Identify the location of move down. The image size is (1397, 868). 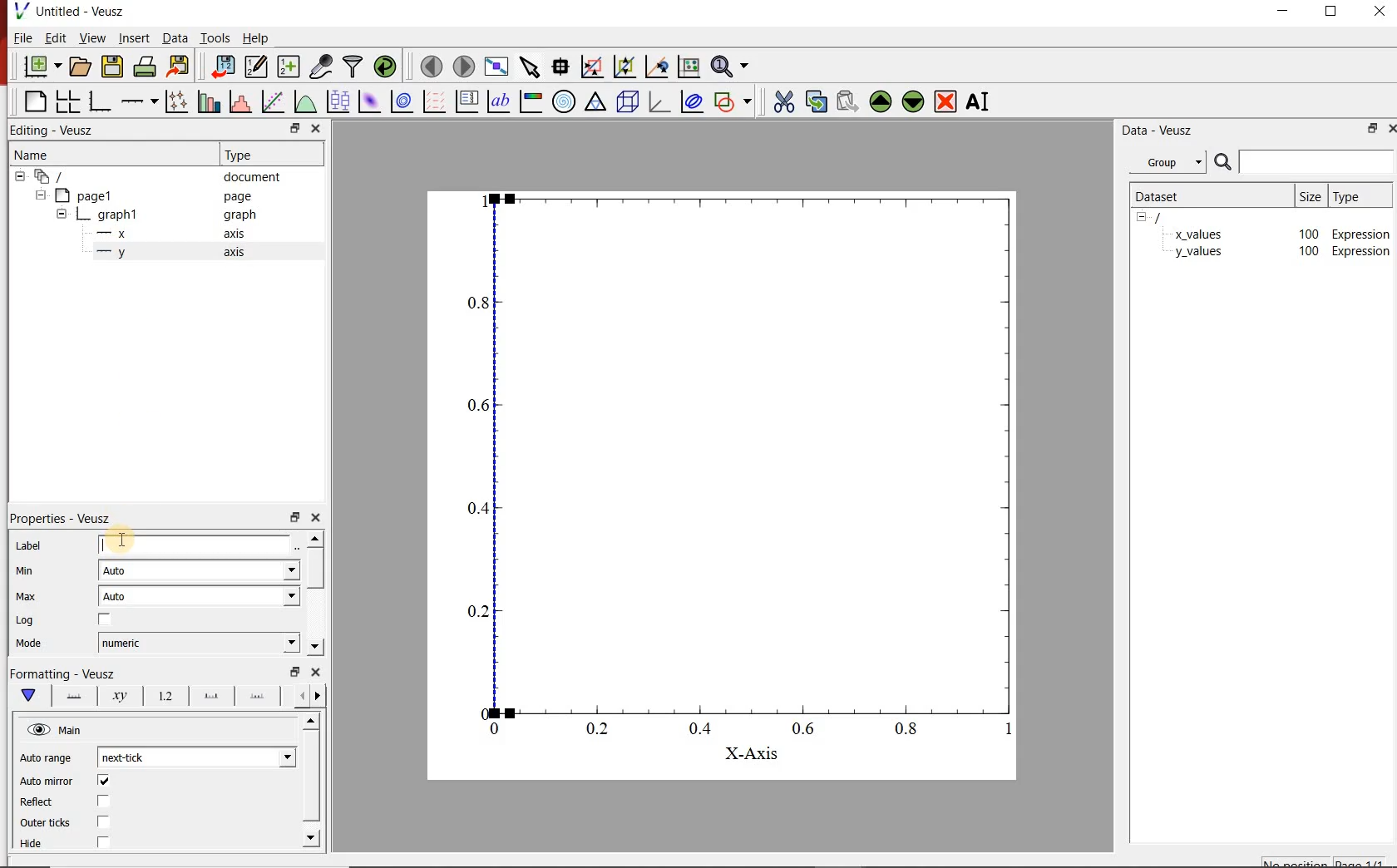
(311, 840).